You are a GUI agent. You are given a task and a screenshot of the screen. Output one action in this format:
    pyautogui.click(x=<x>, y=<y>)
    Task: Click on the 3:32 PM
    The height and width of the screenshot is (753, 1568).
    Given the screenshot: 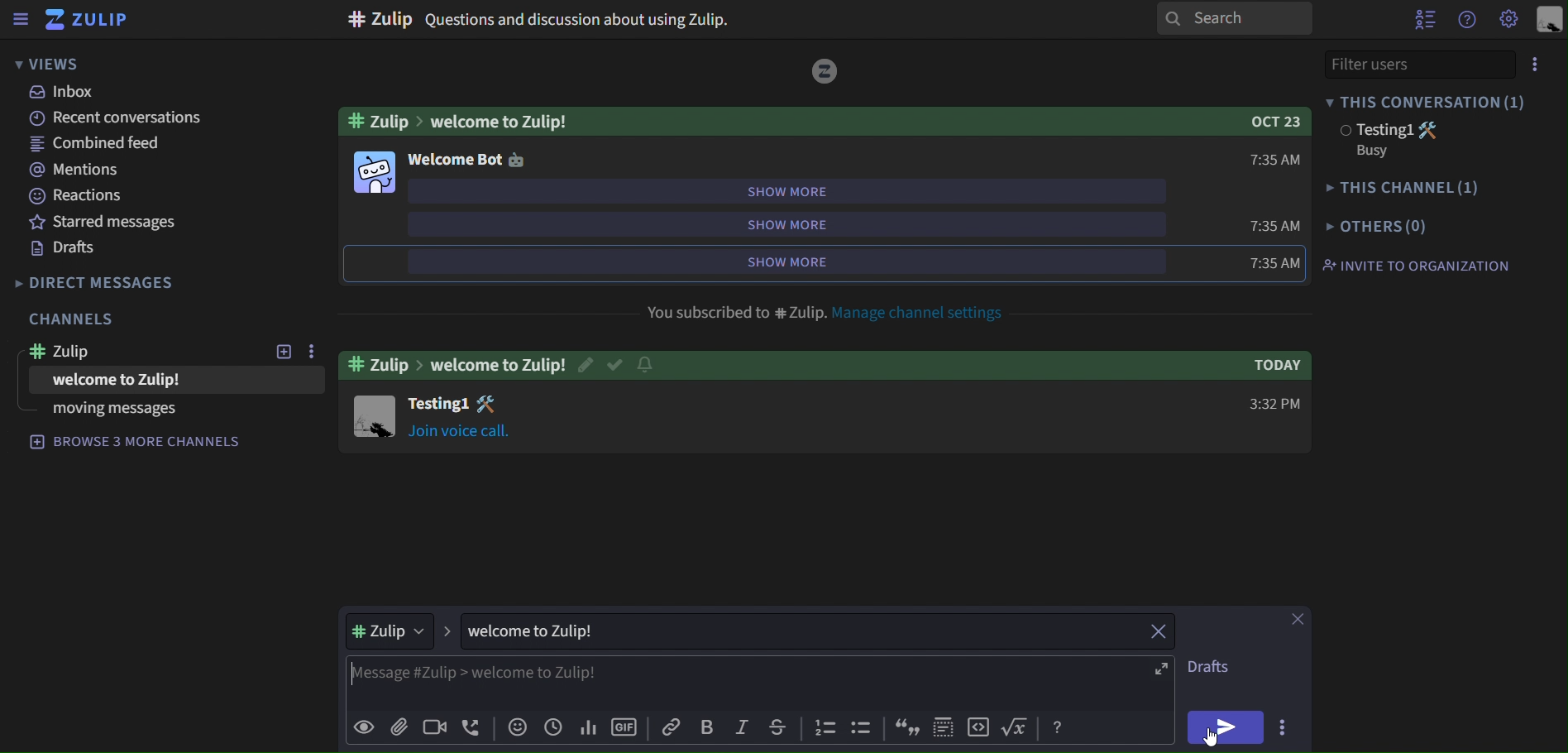 What is the action you would take?
    pyautogui.click(x=1266, y=403)
    